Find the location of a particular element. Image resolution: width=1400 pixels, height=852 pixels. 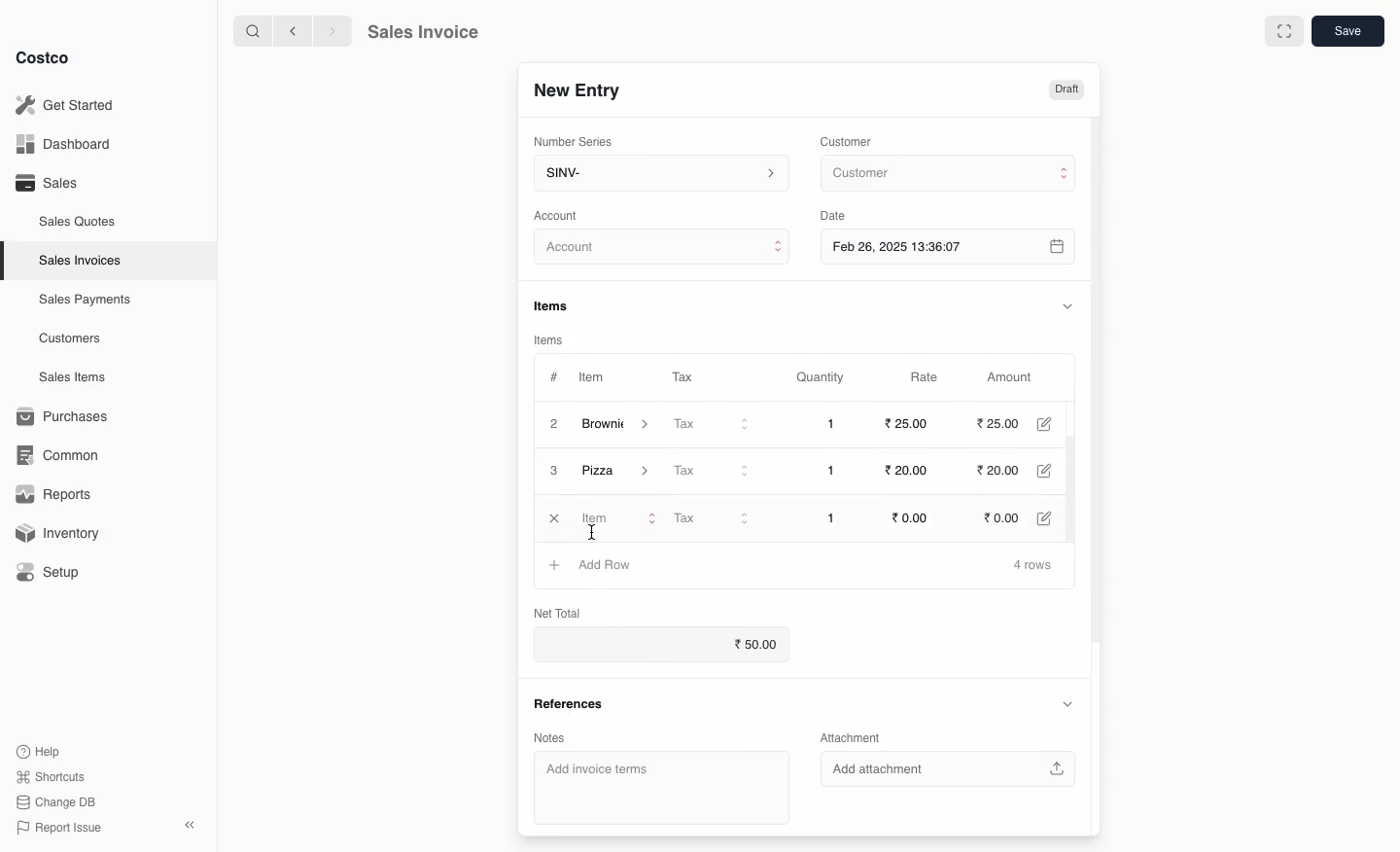

Quantity is located at coordinates (819, 378).